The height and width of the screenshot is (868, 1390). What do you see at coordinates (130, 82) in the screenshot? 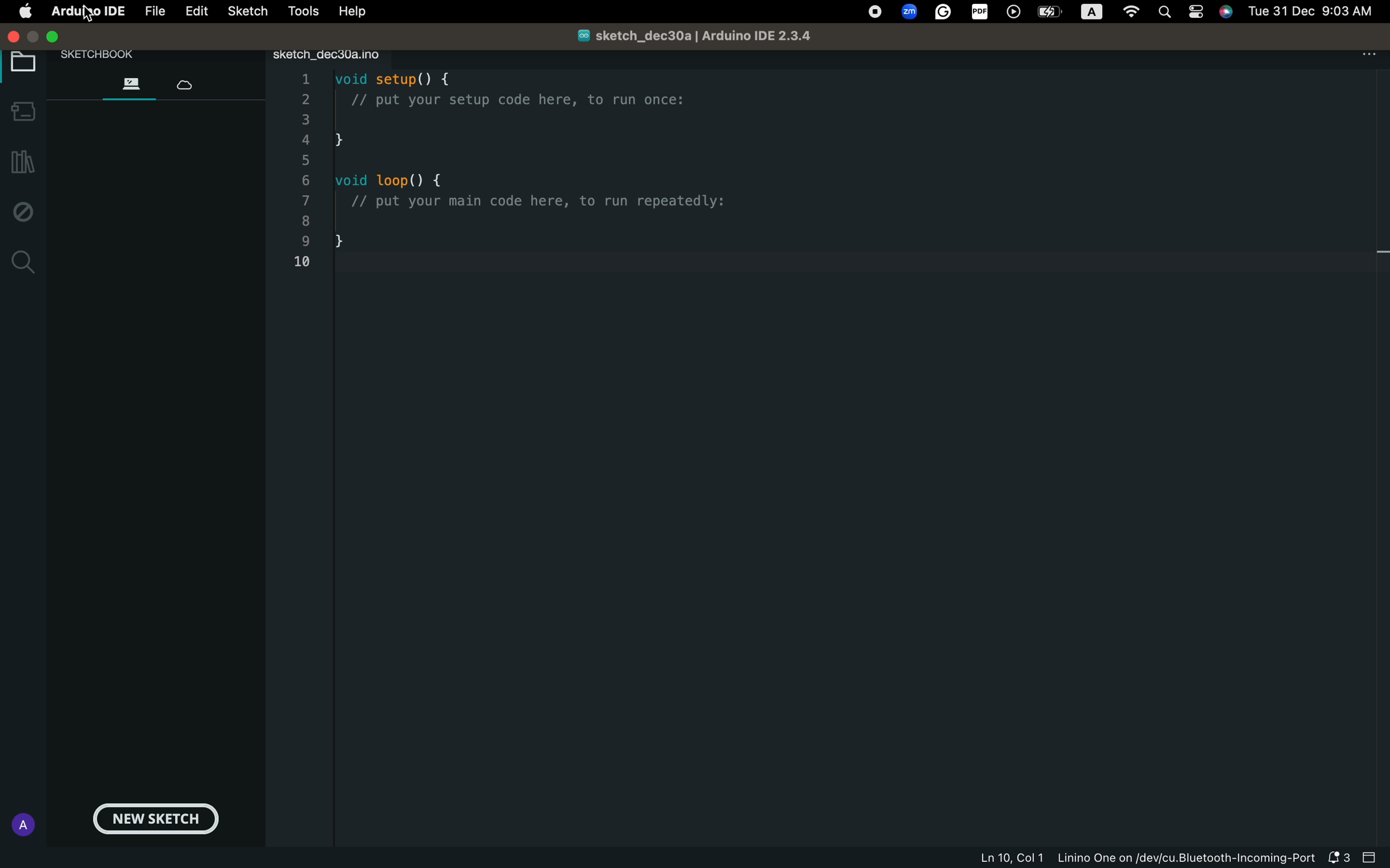
I see `folders` at bounding box center [130, 82].